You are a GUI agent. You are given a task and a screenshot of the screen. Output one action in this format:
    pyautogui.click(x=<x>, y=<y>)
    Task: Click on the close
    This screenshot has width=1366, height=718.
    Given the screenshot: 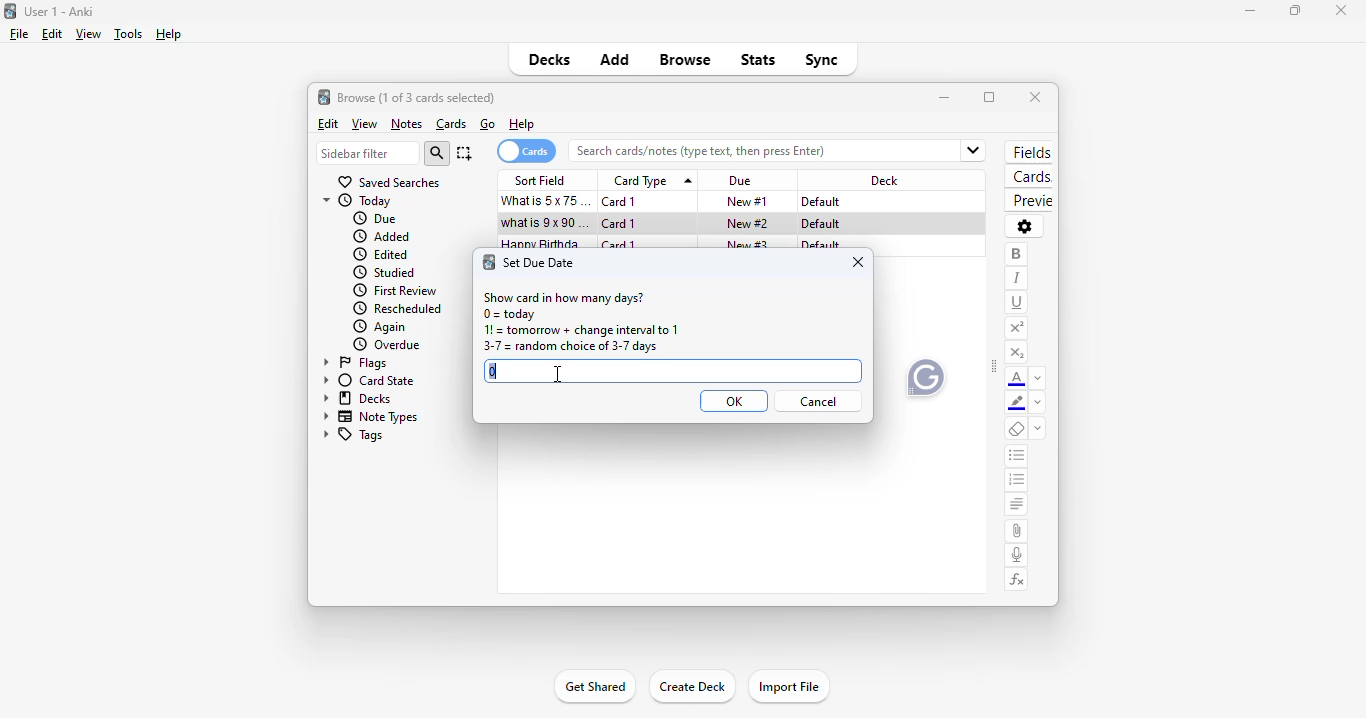 What is the action you would take?
    pyautogui.click(x=1035, y=97)
    